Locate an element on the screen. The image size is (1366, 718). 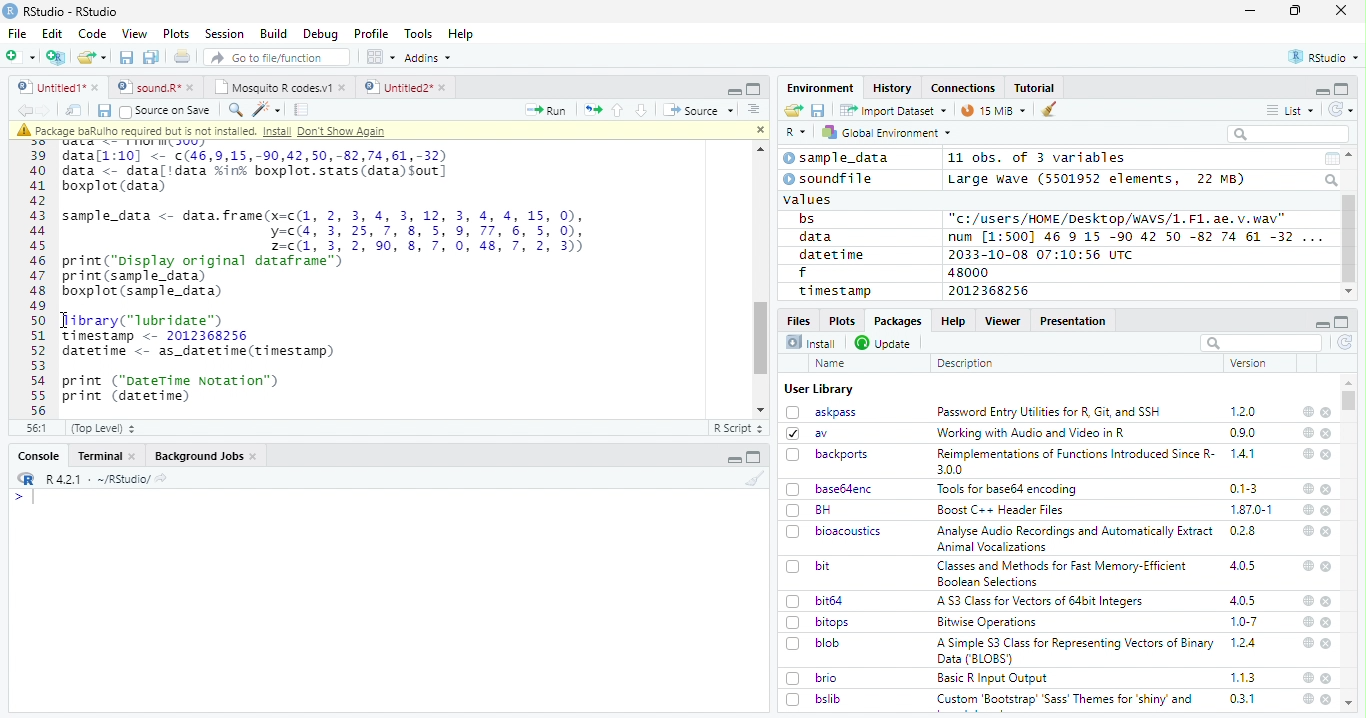
brio is located at coordinates (812, 678).